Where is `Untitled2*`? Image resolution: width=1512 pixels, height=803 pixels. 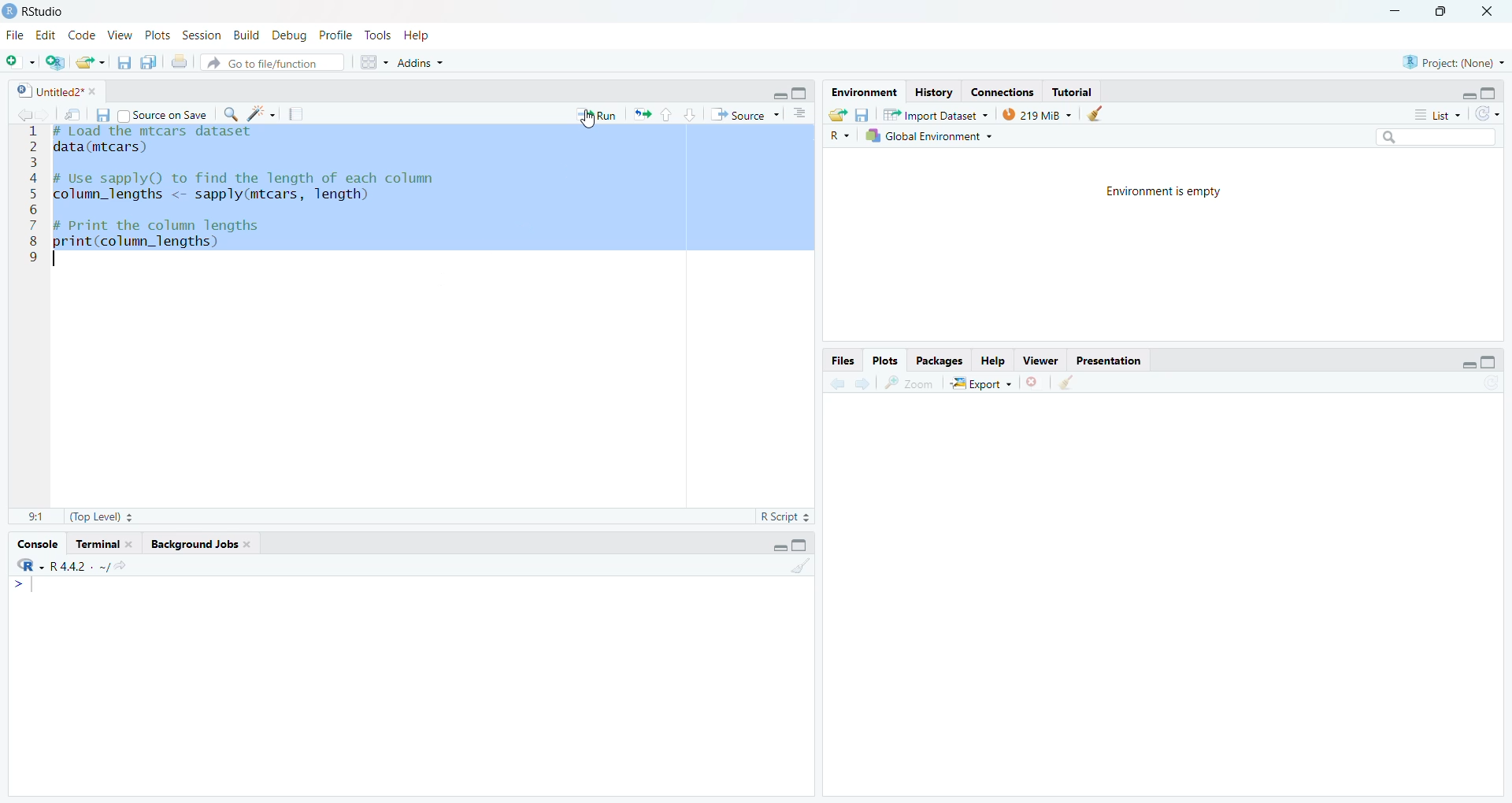 Untitled2* is located at coordinates (55, 91).